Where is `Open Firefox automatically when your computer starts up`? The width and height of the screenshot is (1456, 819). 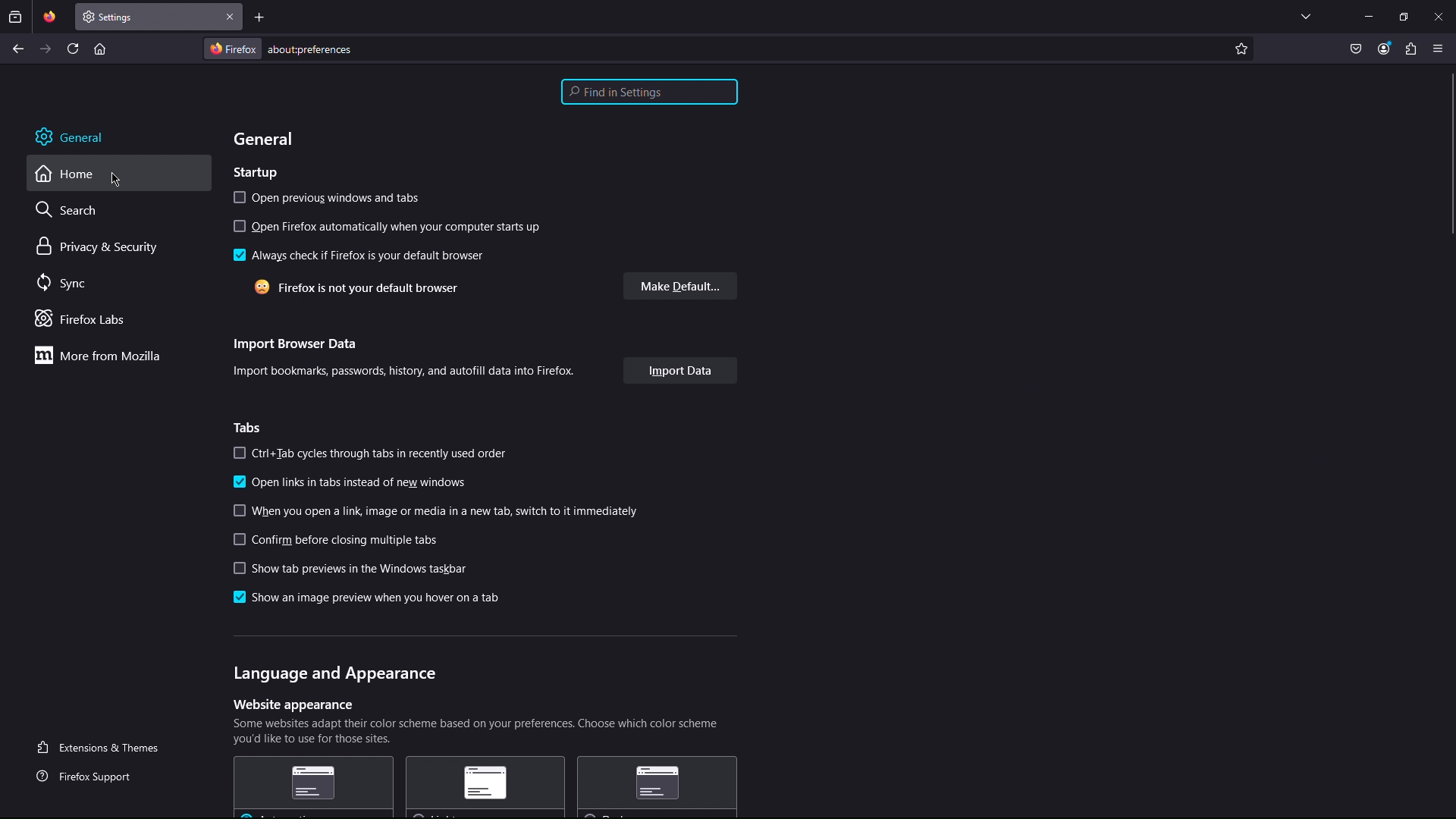 Open Firefox automatically when your computer starts up is located at coordinates (388, 227).